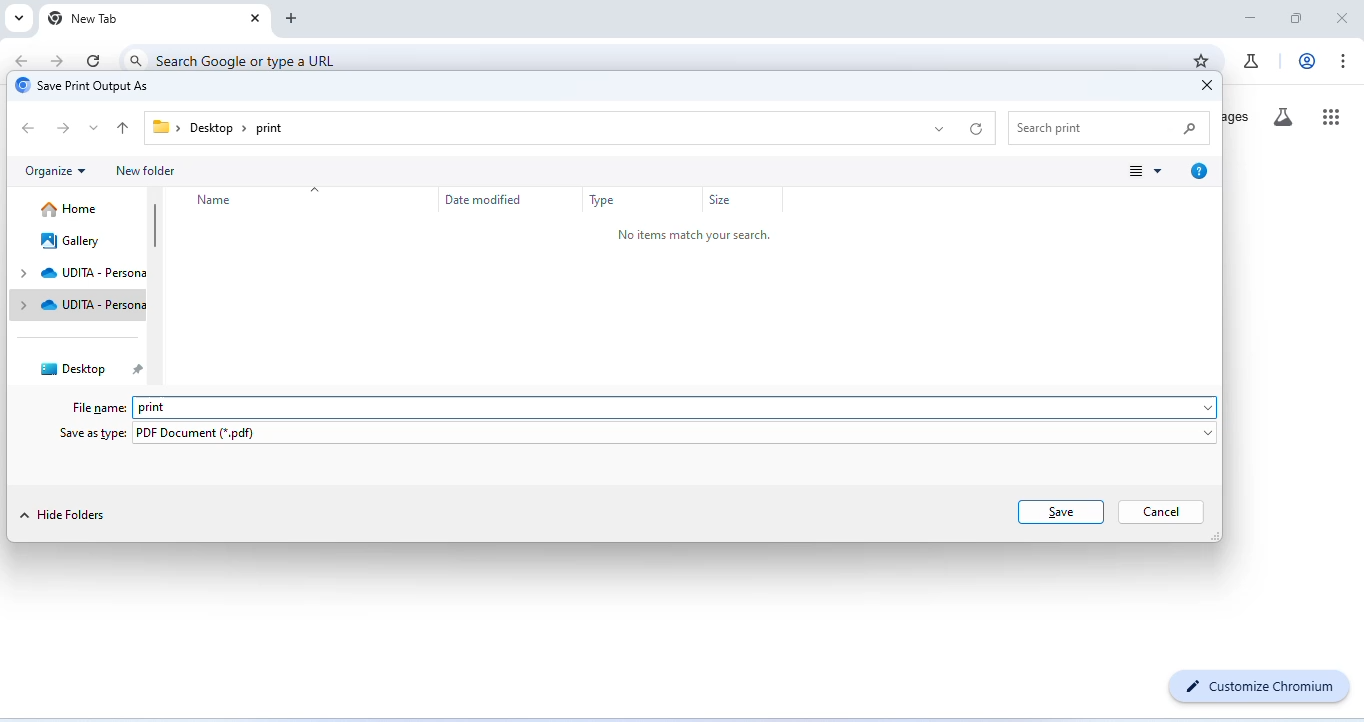 The width and height of the screenshot is (1364, 722). Describe the element at coordinates (88, 86) in the screenshot. I see `save print output as` at that location.